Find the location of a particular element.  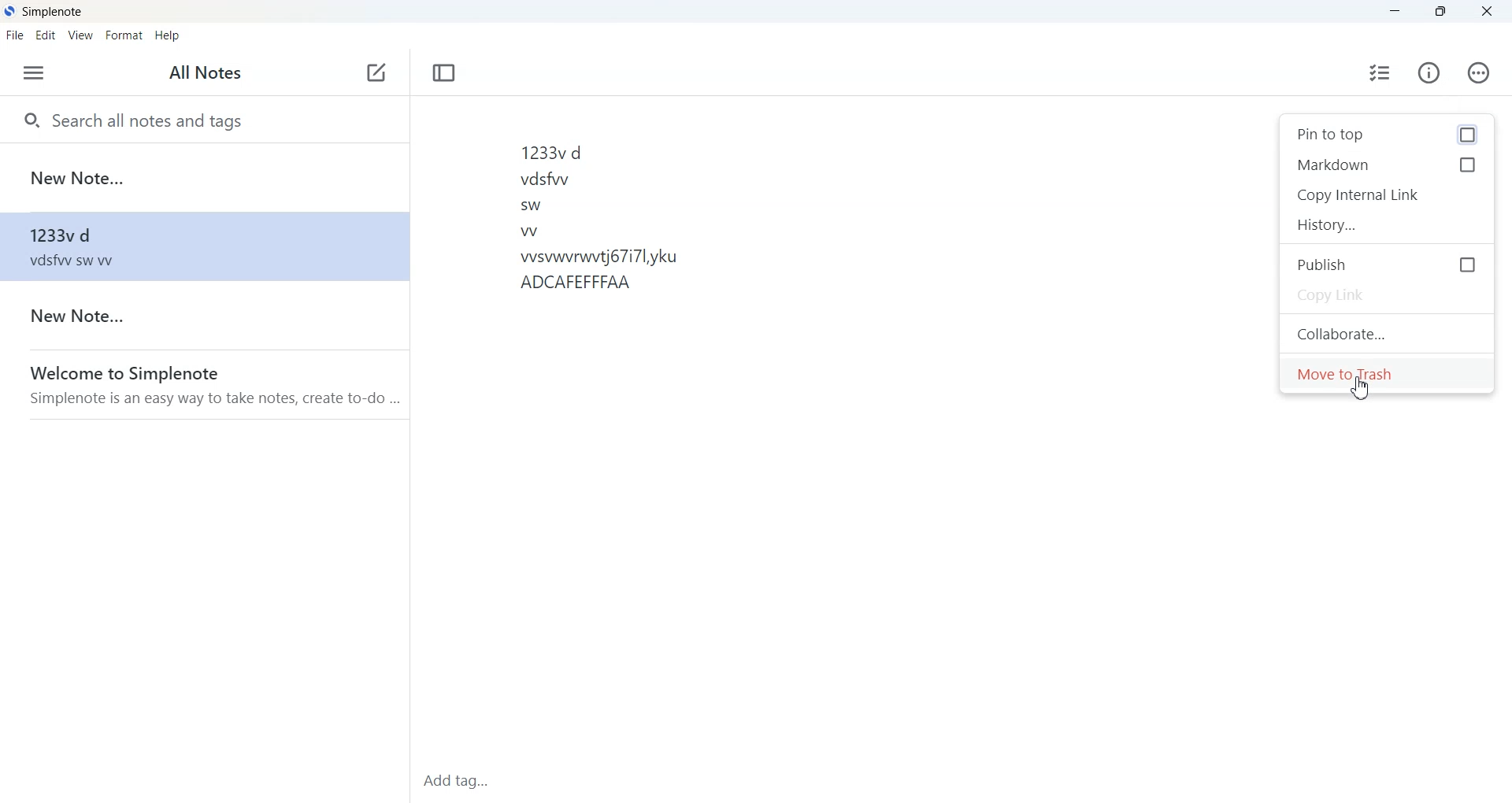

Cursor is located at coordinates (1361, 389).